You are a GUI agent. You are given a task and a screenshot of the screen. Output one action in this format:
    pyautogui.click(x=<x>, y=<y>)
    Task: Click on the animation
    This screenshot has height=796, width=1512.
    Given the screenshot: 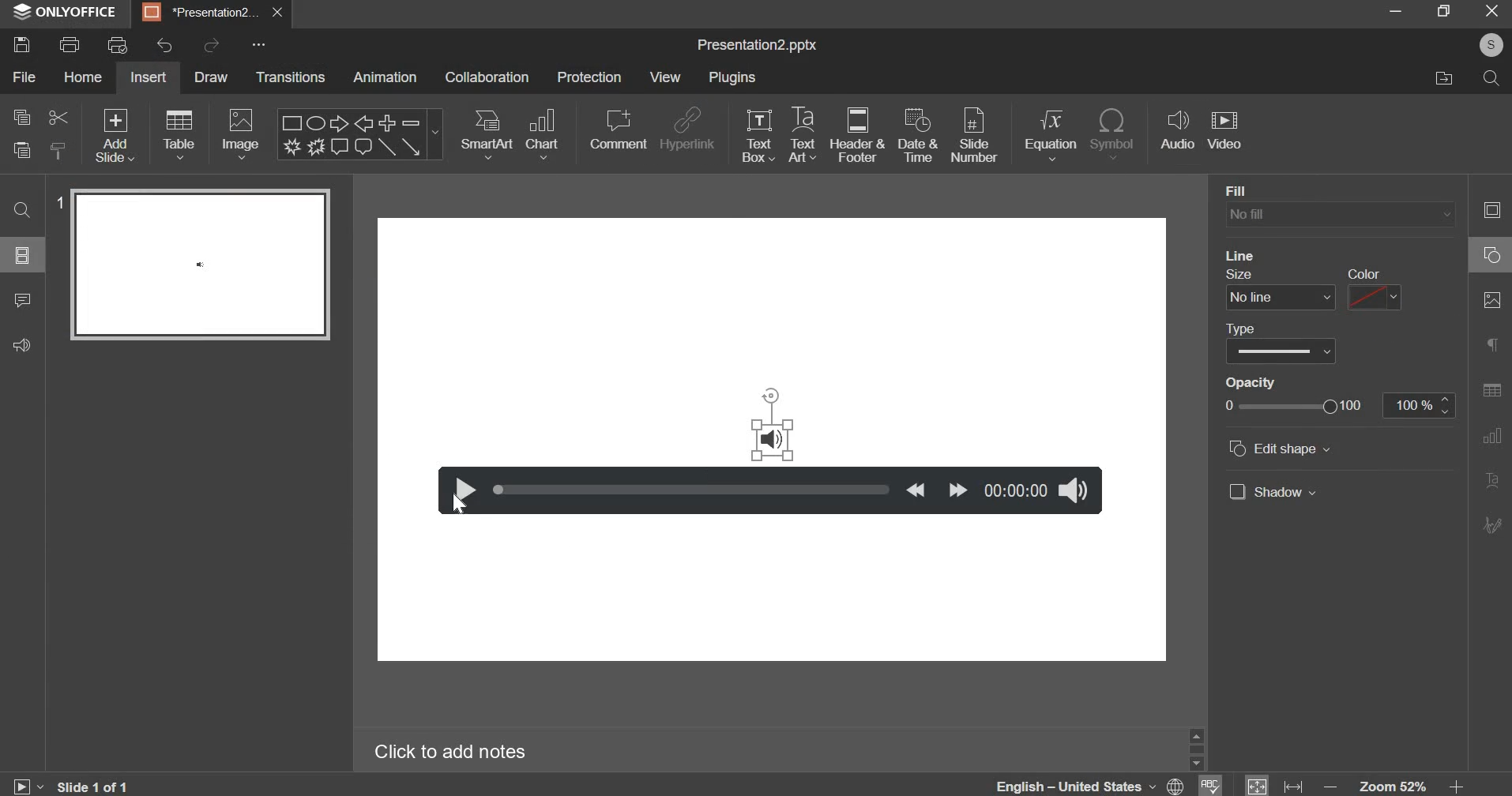 What is the action you would take?
    pyautogui.click(x=385, y=78)
    